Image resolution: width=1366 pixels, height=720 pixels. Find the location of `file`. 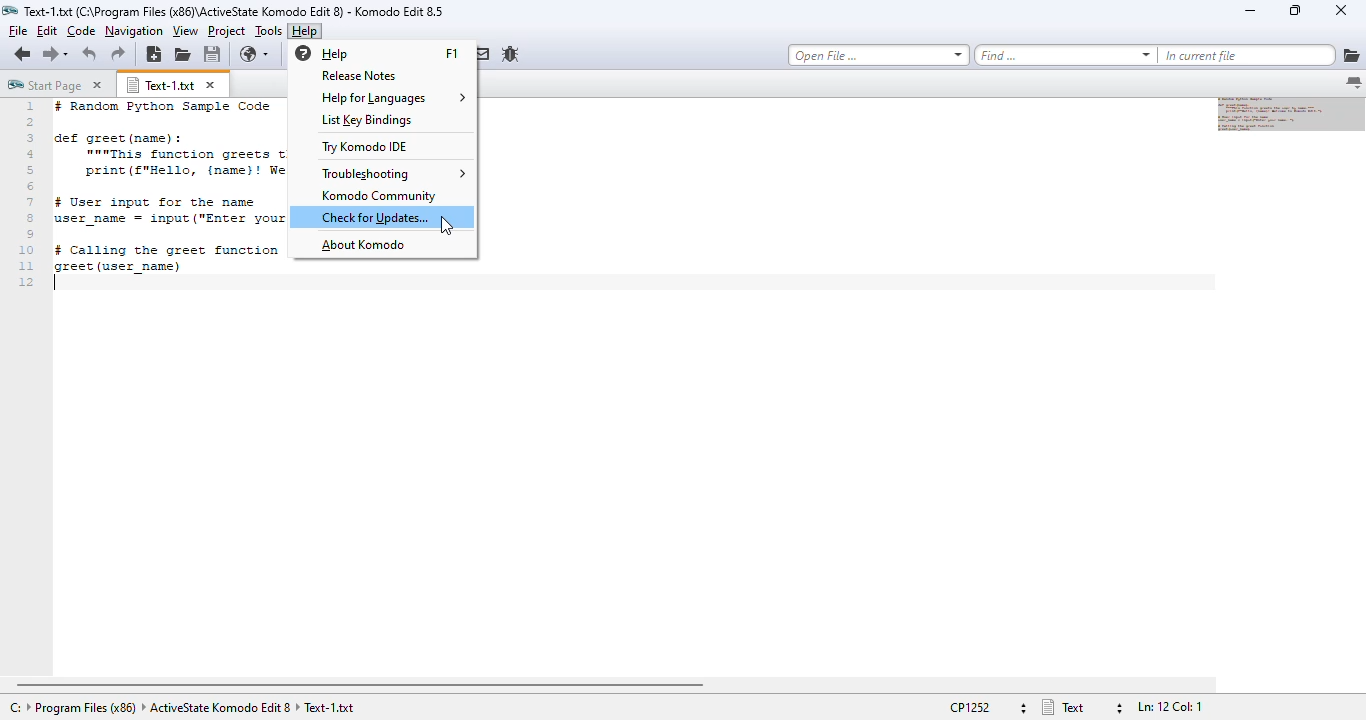

file is located at coordinates (17, 30).